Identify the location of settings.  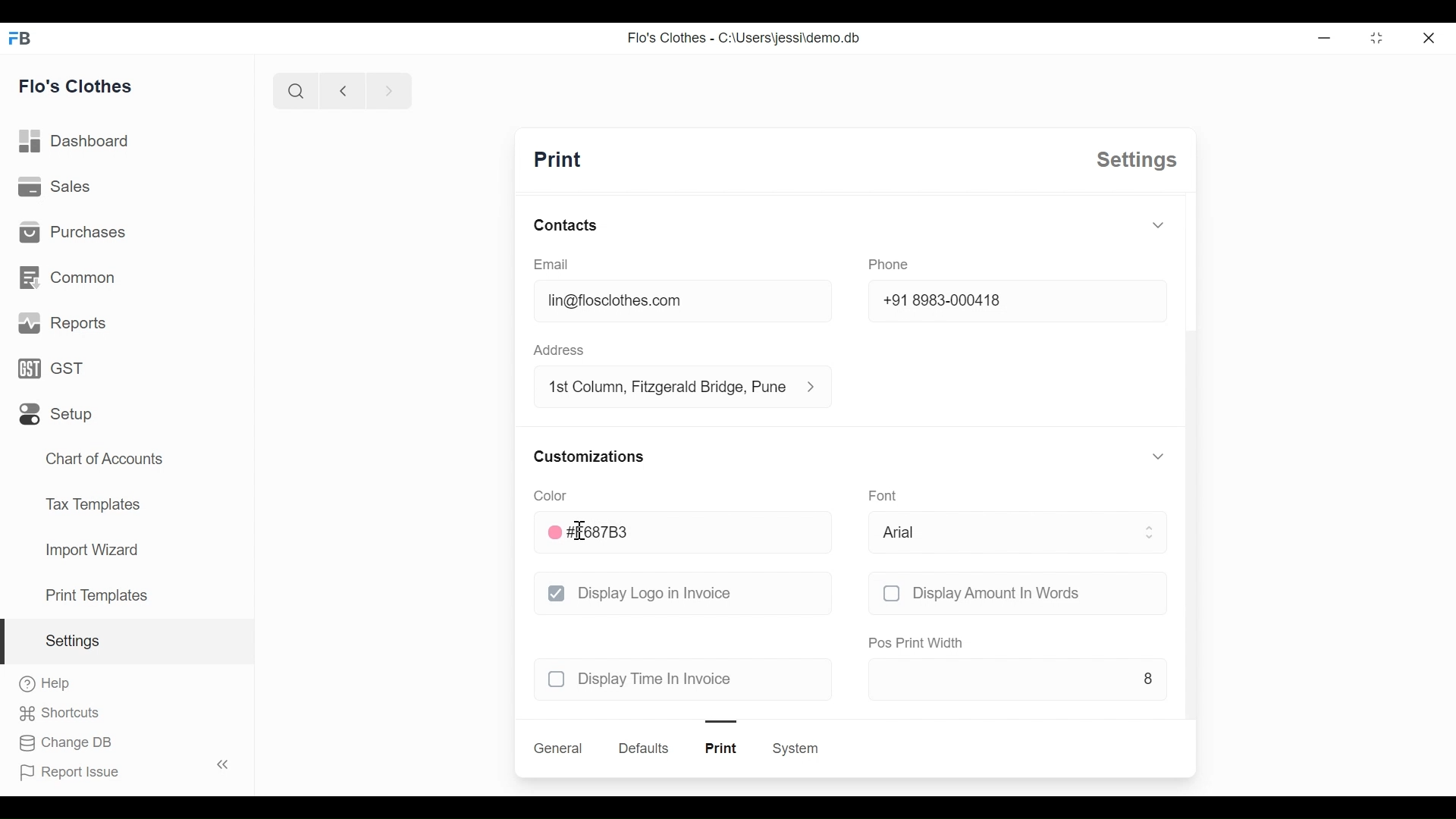
(71, 641).